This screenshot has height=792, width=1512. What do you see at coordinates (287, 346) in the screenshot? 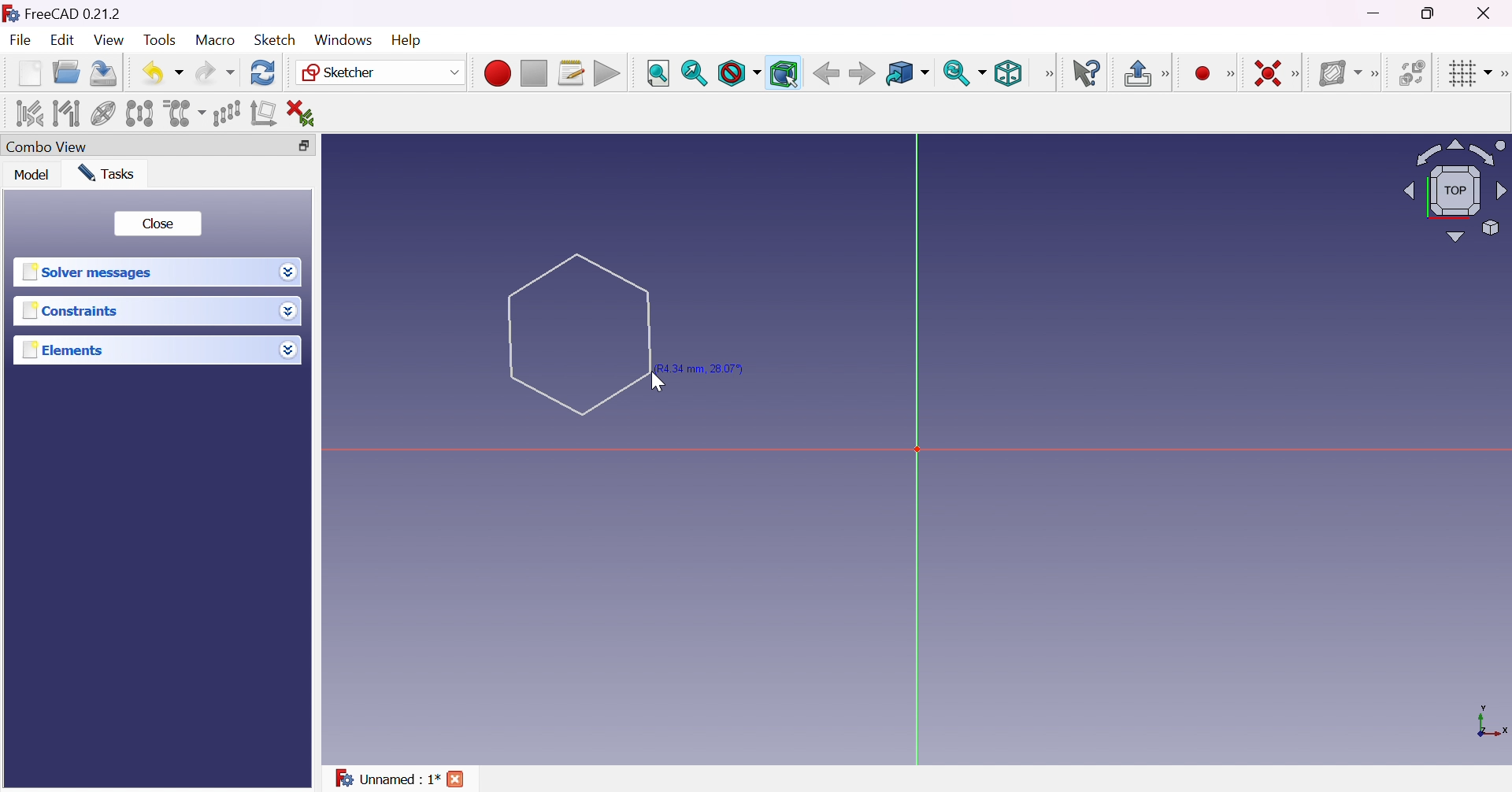
I see `Drop down` at bounding box center [287, 346].